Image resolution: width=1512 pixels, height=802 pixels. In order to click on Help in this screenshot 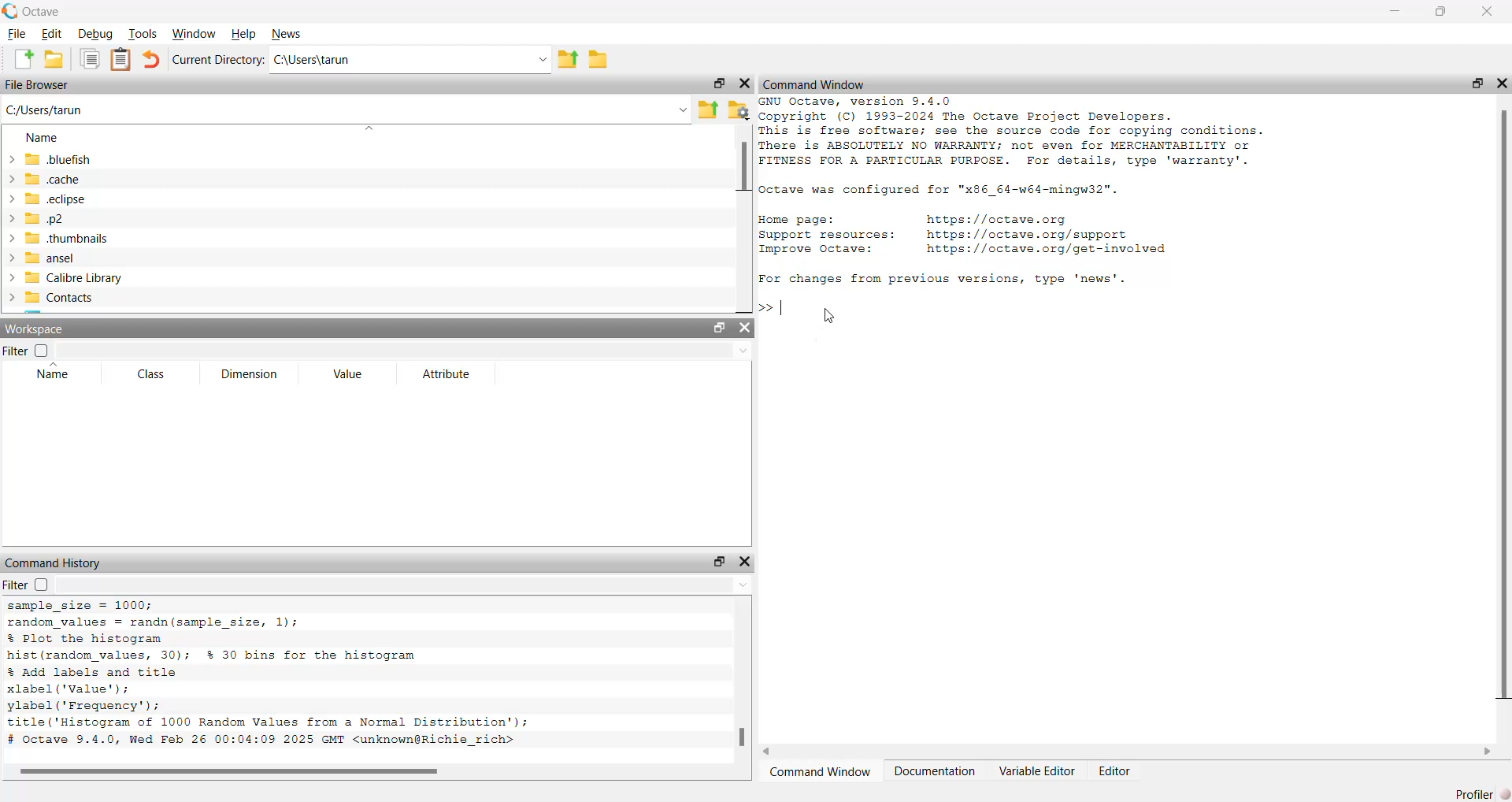, I will do `click(246, 35)`.